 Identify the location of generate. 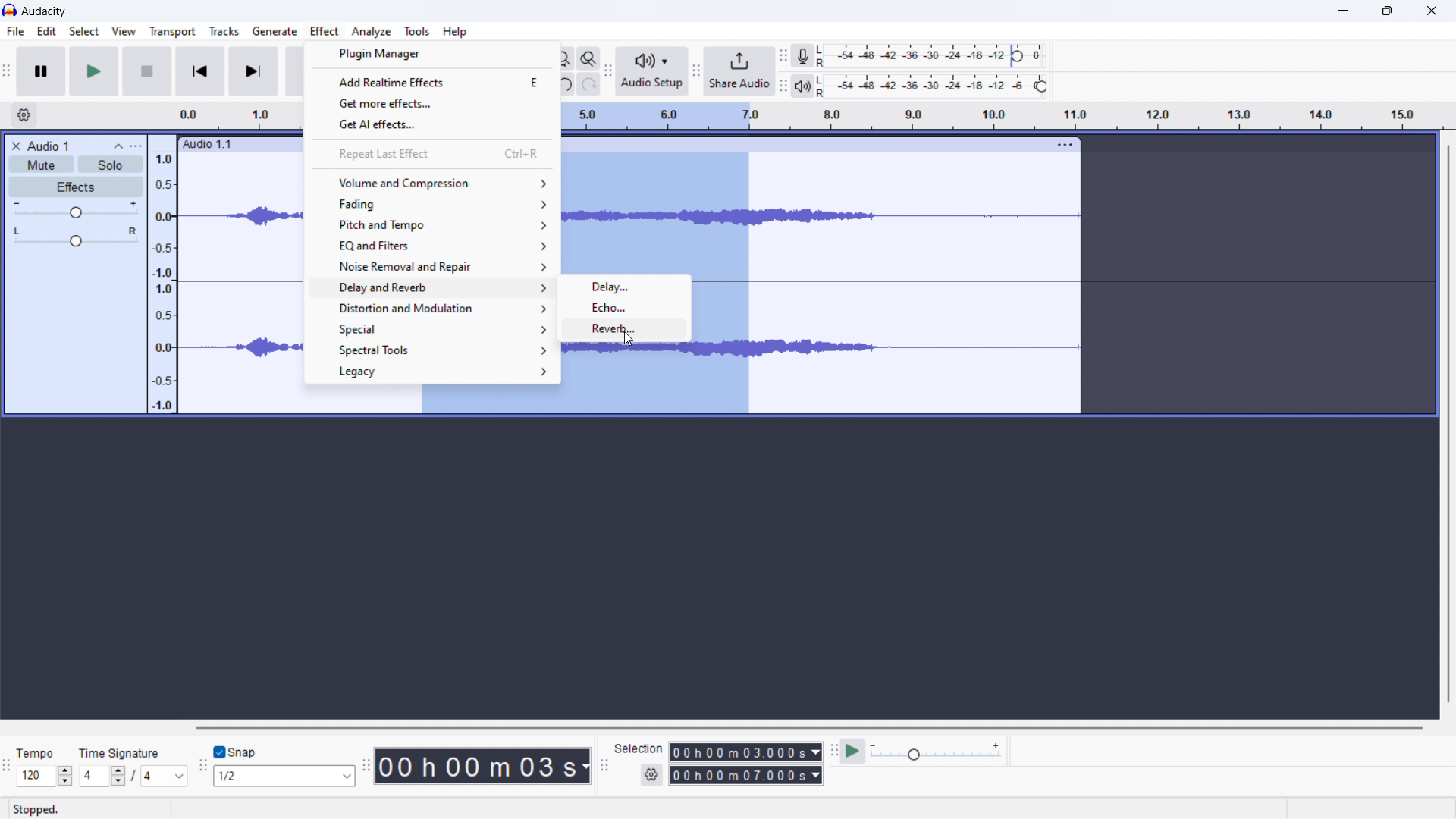
(275, 32).